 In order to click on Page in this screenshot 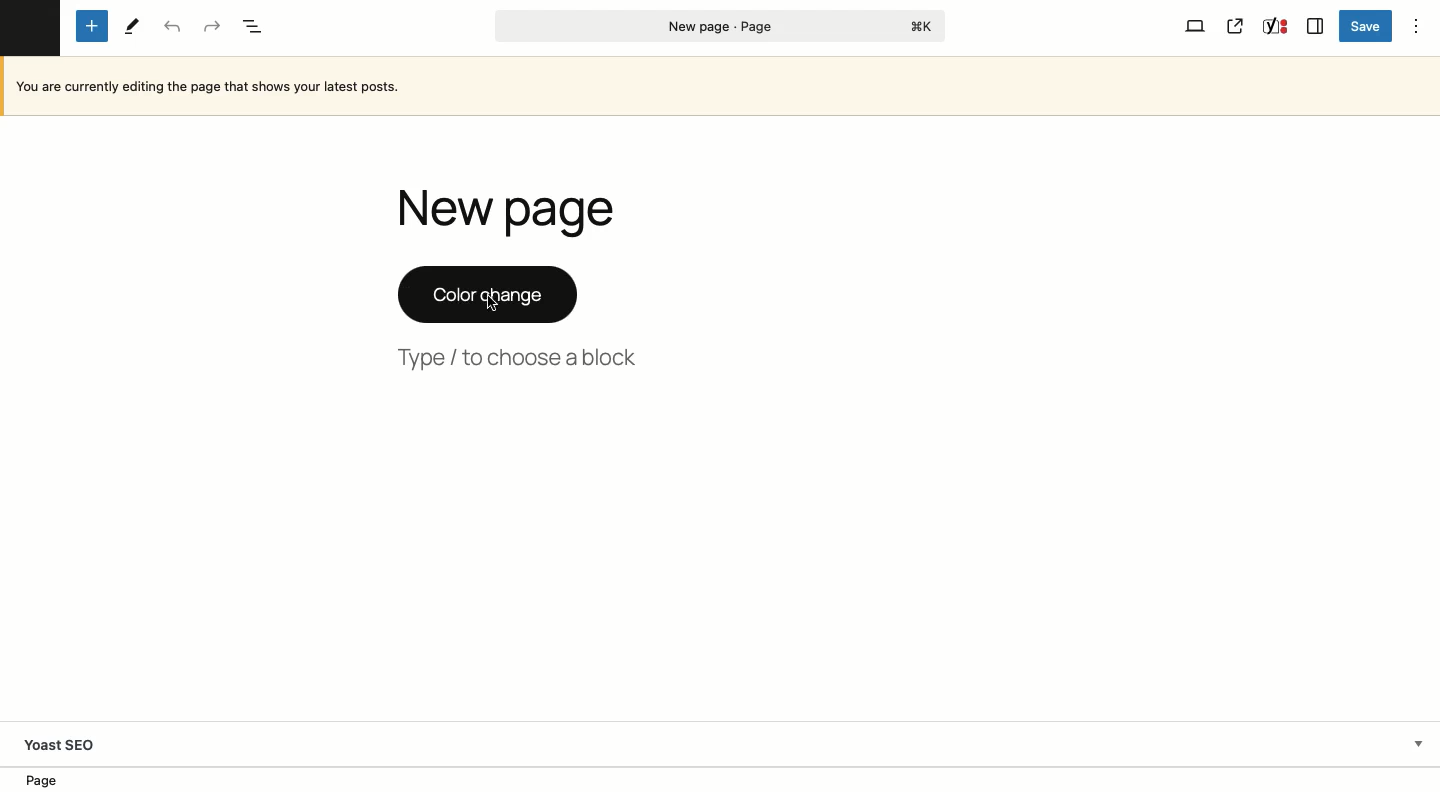, I will do `click(721, 26)`.